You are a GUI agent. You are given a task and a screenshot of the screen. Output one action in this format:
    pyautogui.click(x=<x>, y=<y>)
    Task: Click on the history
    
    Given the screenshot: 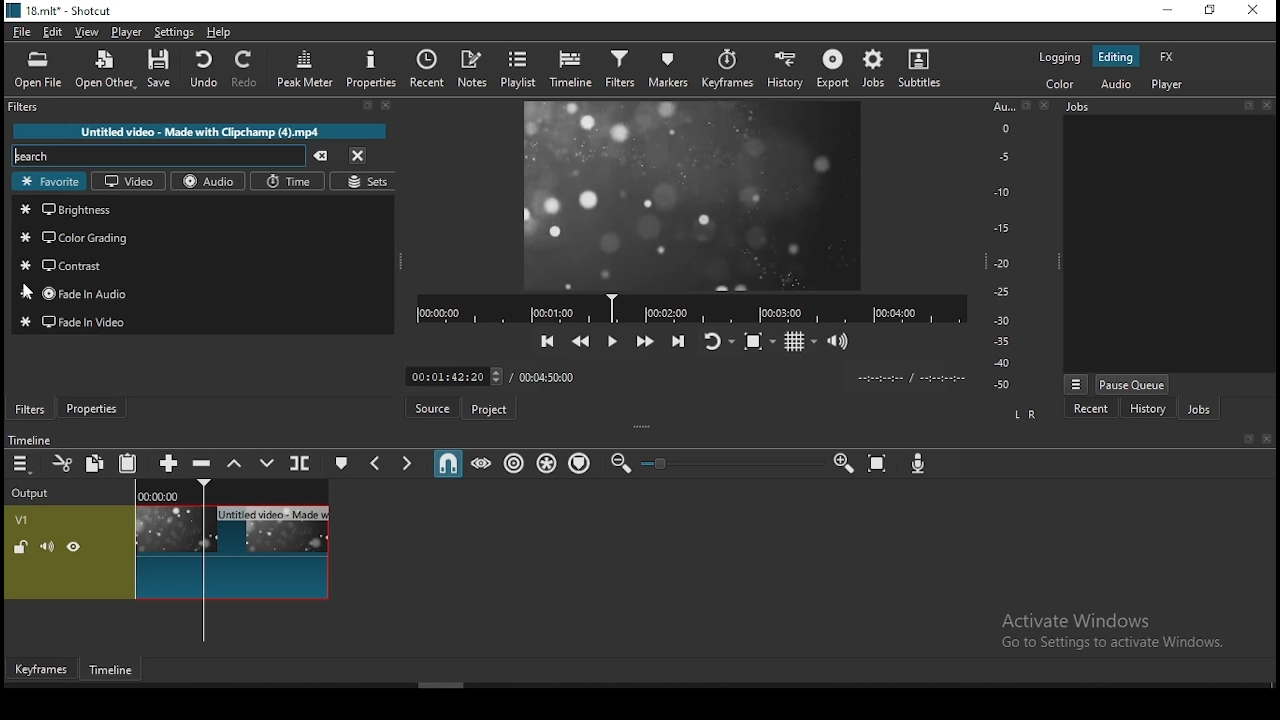 What is the action you would take?
    pyautogui.click(x=788, y=67)
    